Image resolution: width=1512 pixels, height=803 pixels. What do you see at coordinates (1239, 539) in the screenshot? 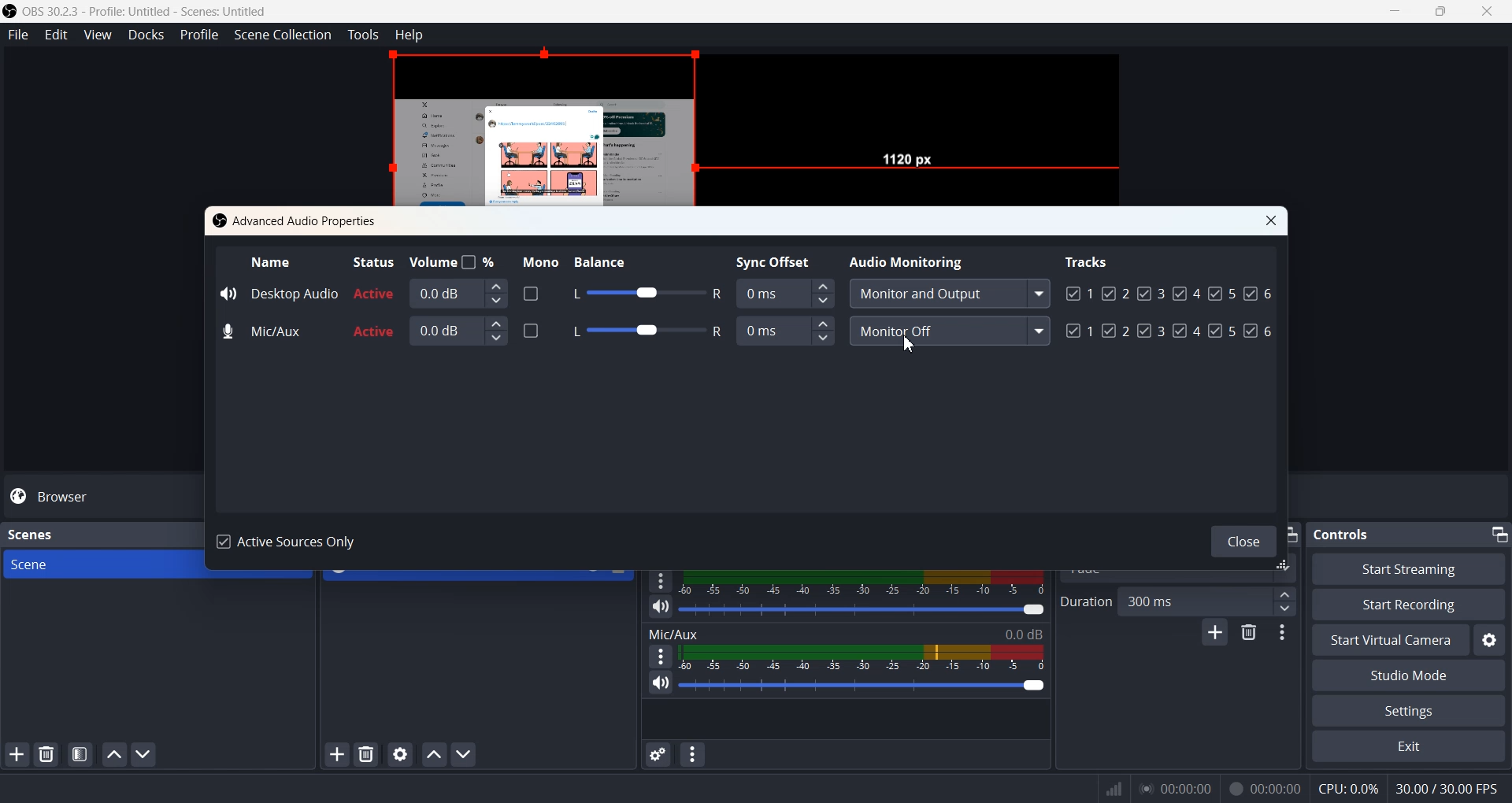
I see `Close` at bounding box center [1239, 539].